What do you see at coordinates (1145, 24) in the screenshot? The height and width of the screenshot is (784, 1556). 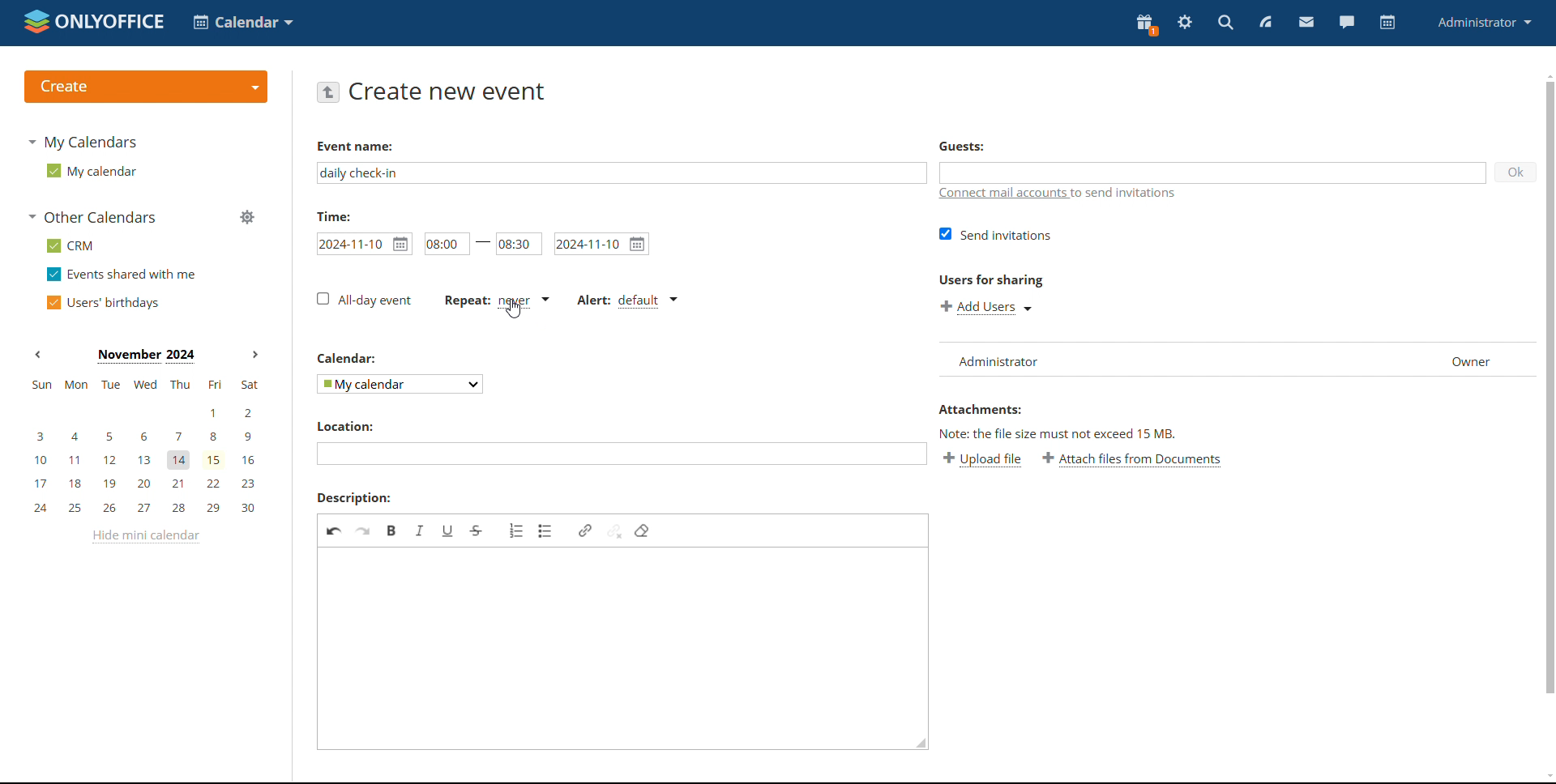 I see `present` at bounding box center [1145, 24].